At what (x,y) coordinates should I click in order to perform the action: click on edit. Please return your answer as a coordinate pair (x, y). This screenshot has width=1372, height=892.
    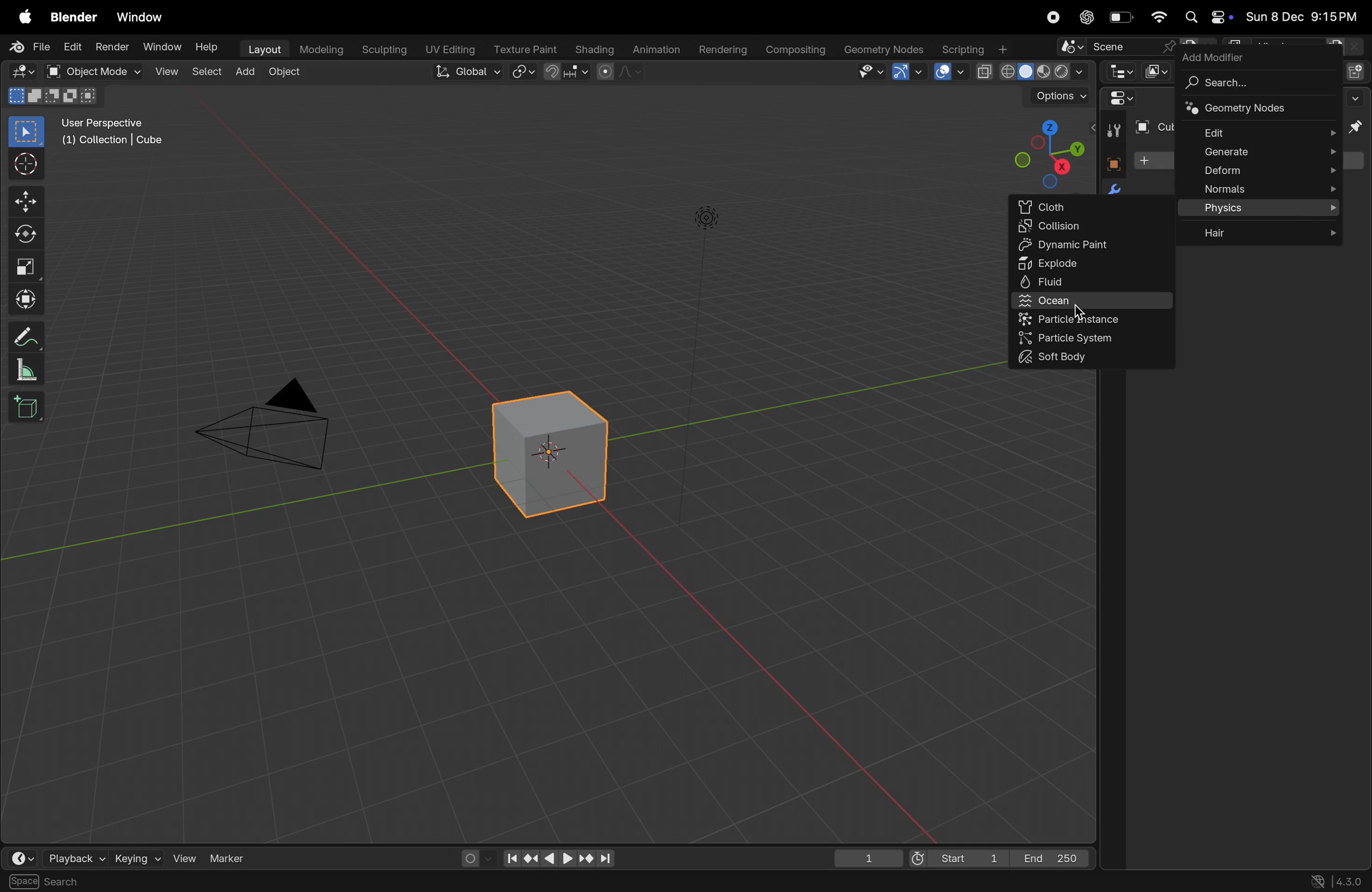
    Looking at the image, I should click on (1262, 131).